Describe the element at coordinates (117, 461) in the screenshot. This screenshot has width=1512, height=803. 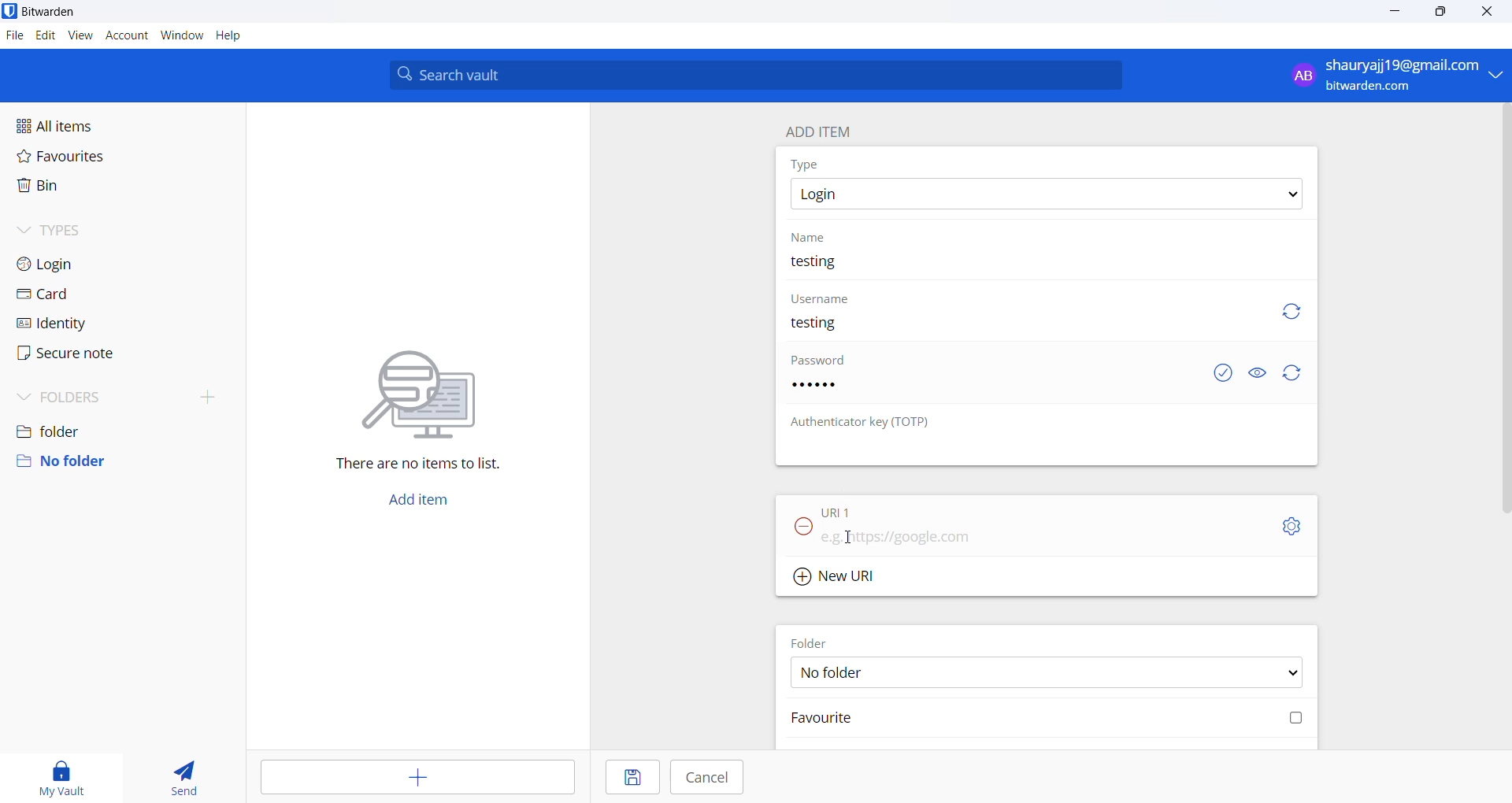
I see `no folder` at that location.